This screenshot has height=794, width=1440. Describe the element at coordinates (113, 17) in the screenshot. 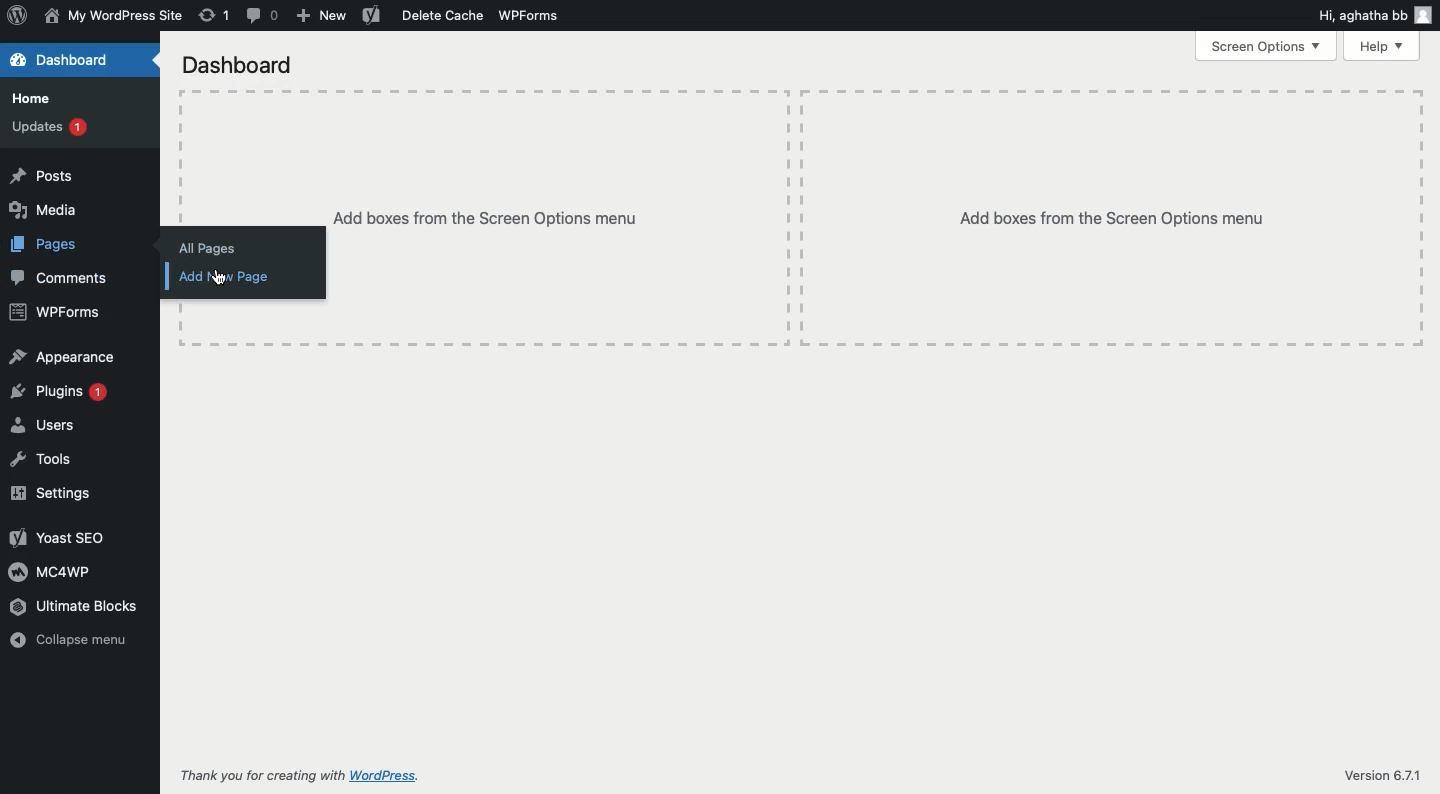

I see `Name` at that location.